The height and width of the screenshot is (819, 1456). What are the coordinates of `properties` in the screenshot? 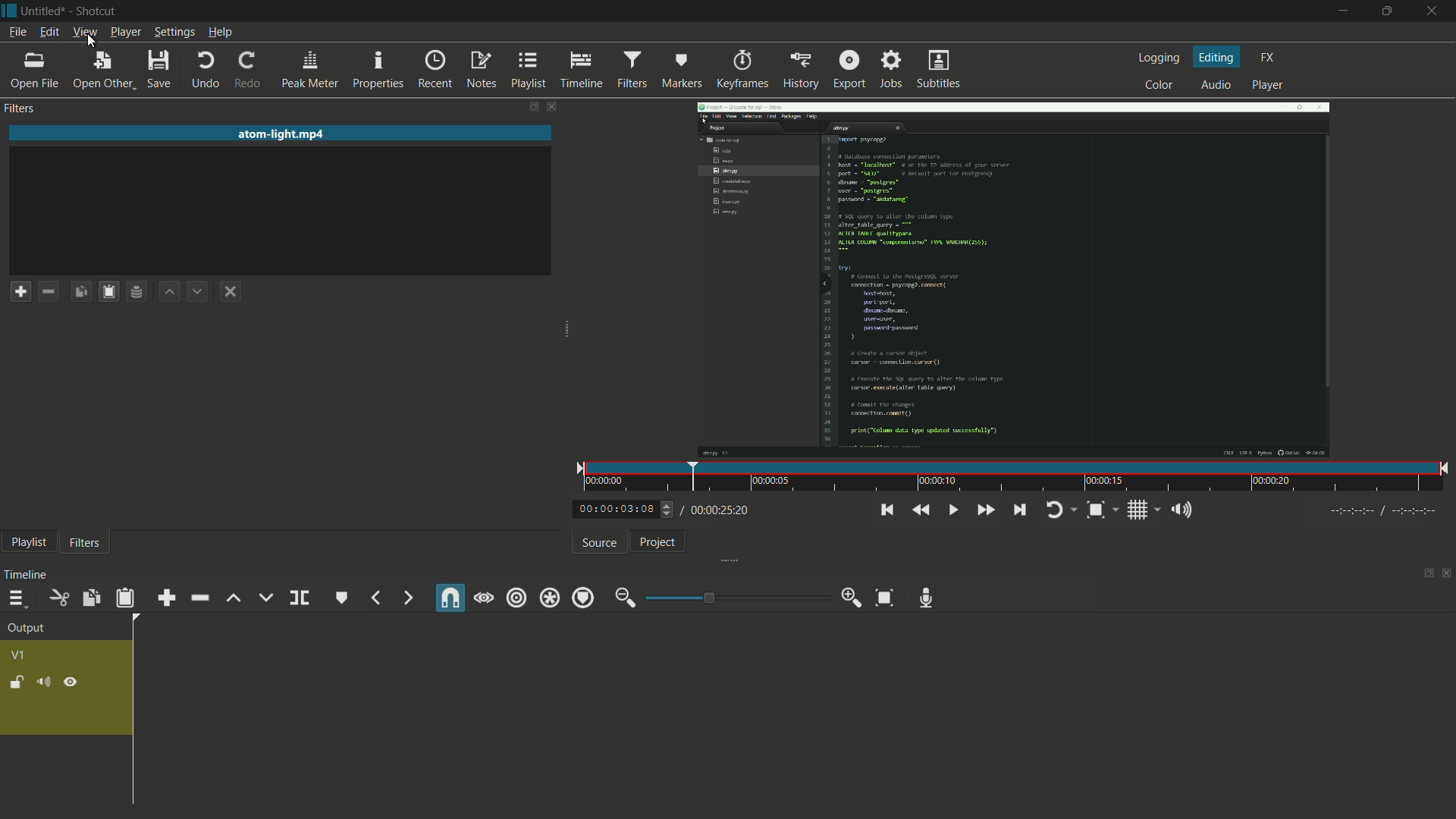 It's located at (378, 71).